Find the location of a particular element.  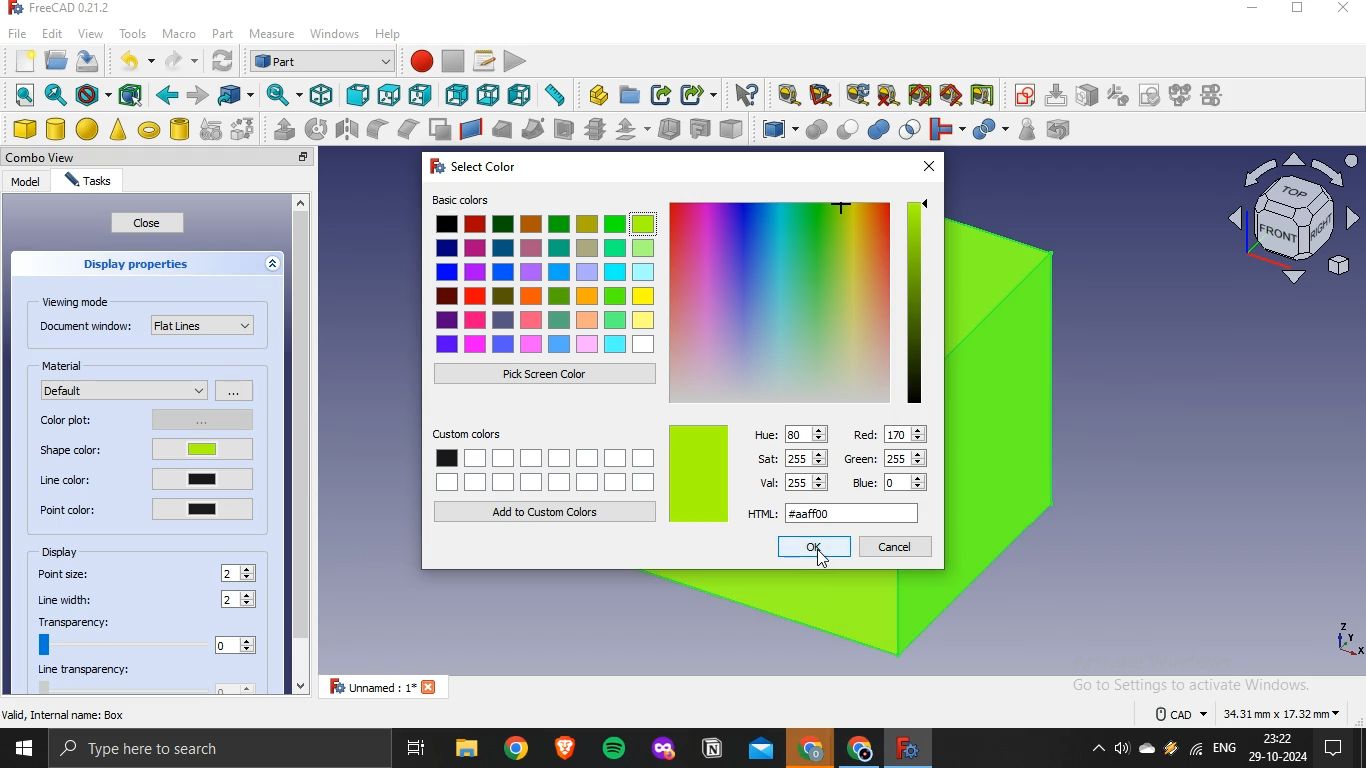

default is located at coordinates (125, 389).